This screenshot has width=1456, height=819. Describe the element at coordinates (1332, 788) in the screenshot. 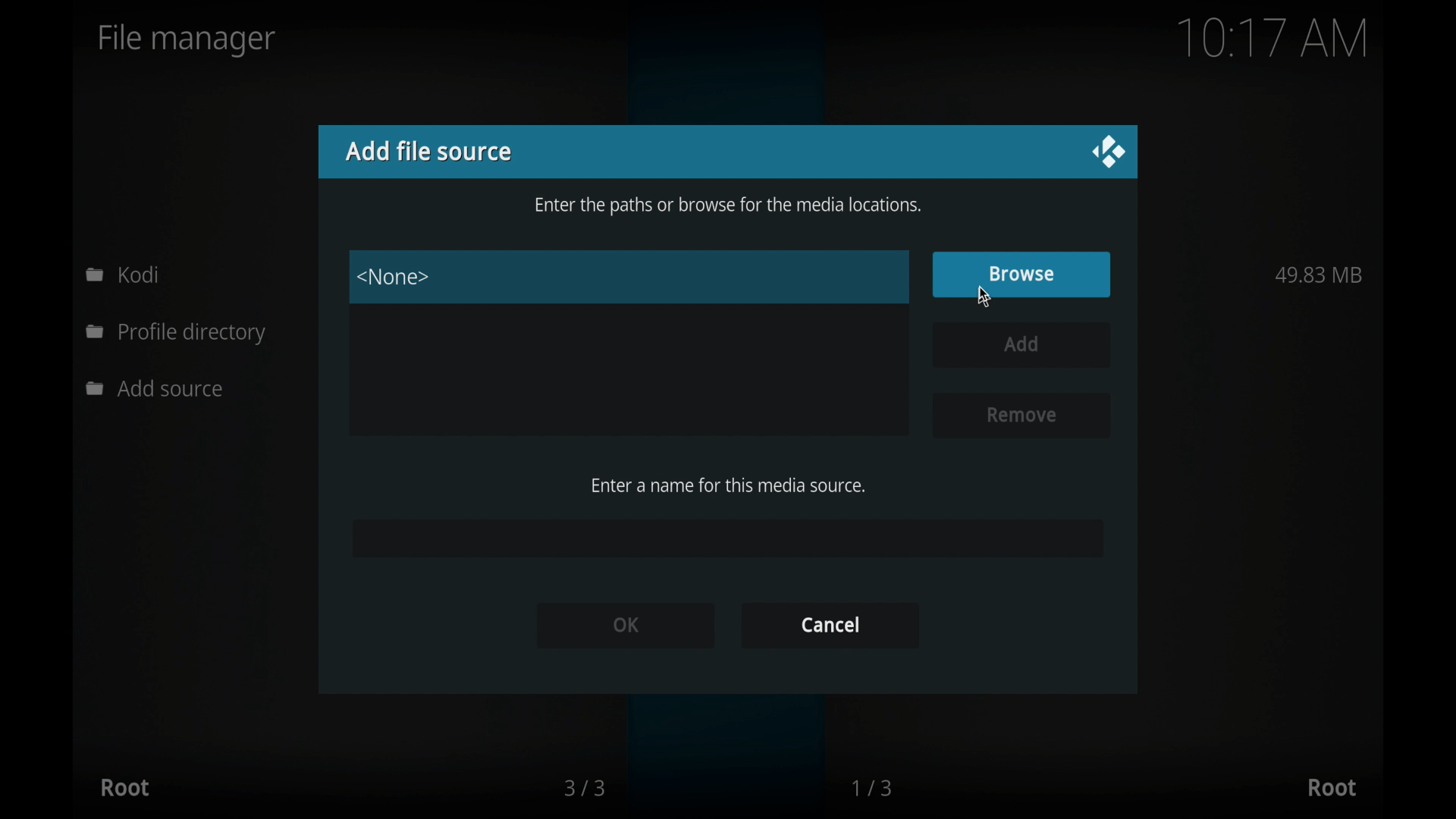

I see `root` at that location.